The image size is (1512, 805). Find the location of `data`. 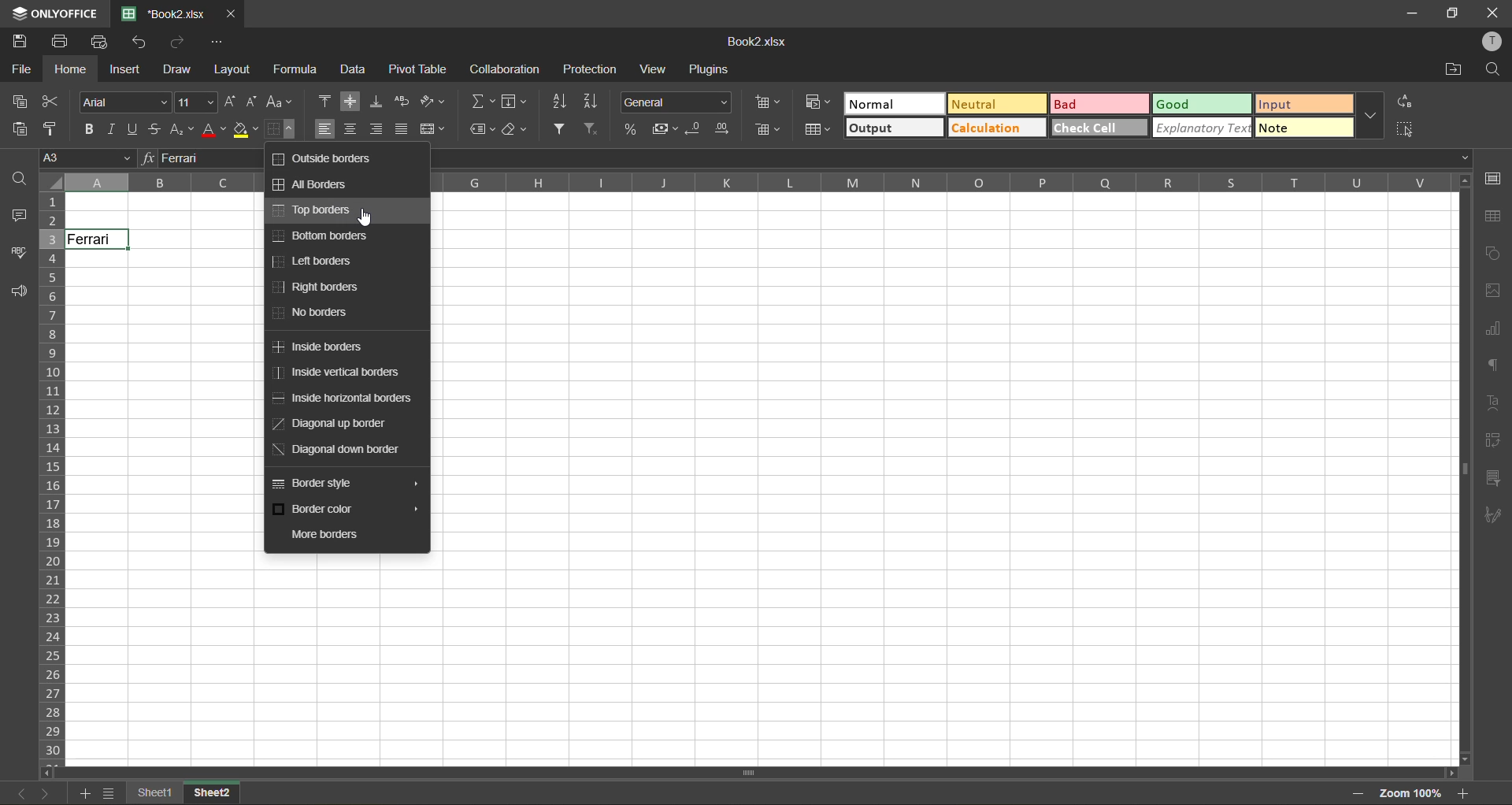

data is located at coordinates (356, 69).